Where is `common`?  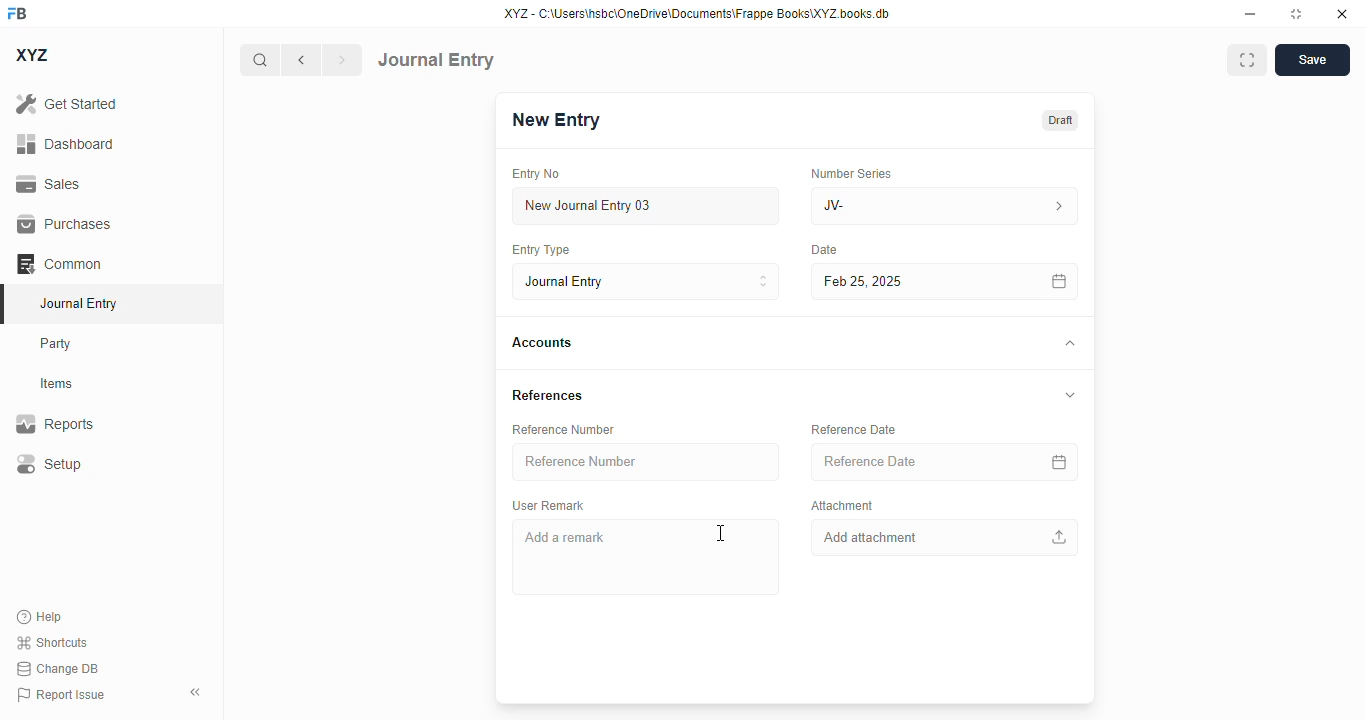 common is located at coordinates (59, 264).